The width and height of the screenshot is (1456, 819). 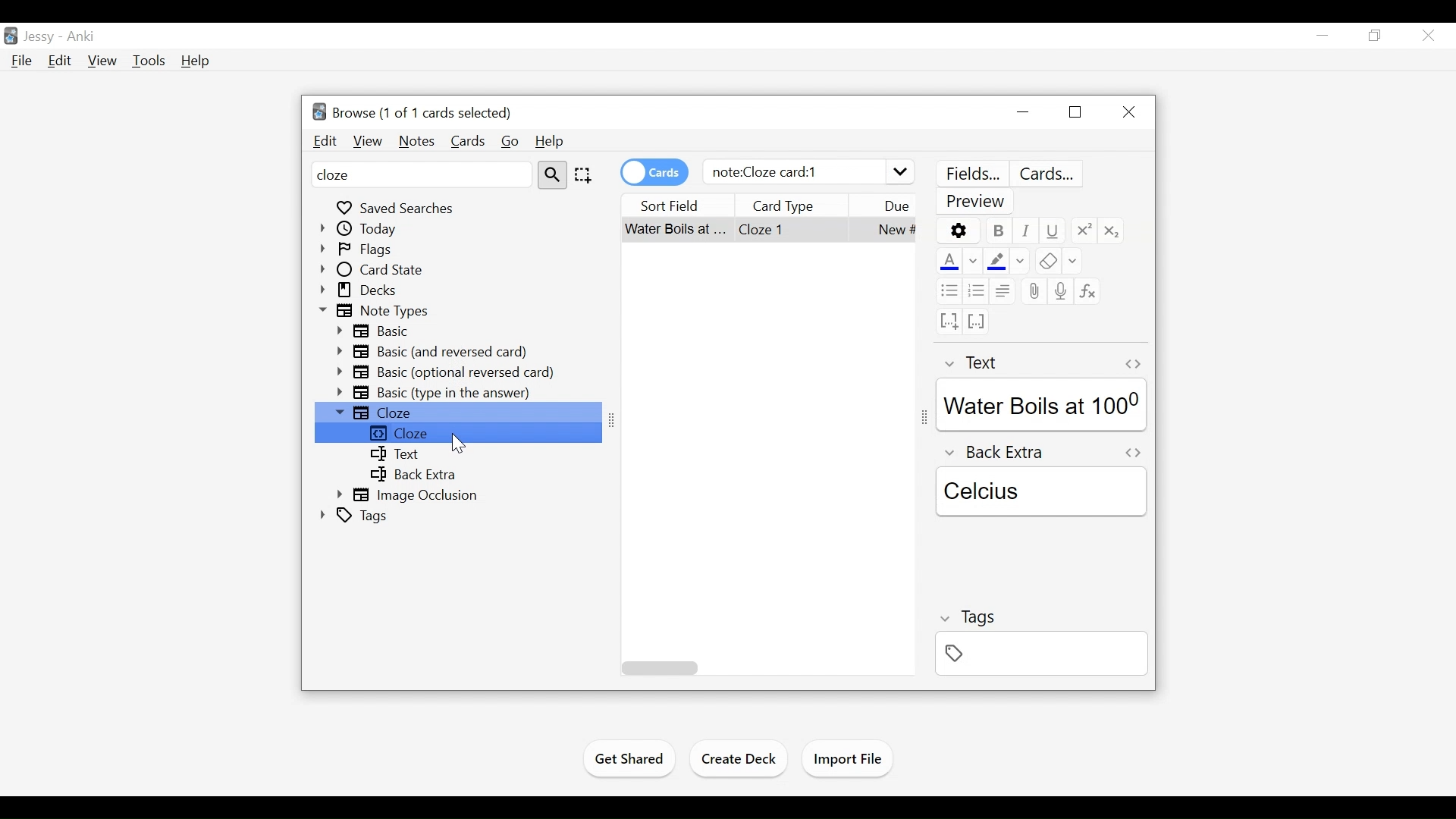 I want to click on Cloze deletion (new card, so click(x=949, y=322).